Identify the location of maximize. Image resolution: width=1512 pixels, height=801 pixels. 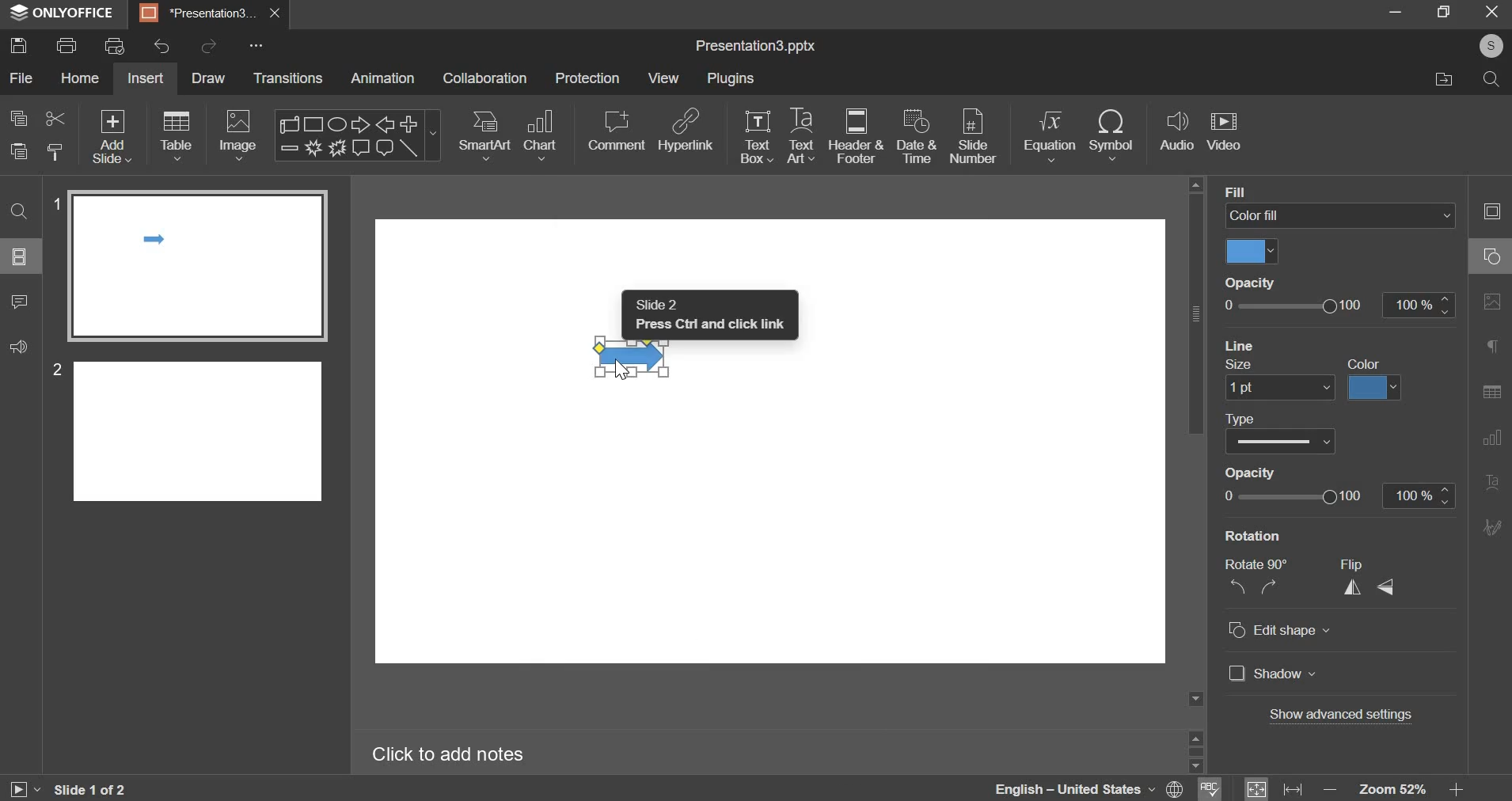
(1446, 11).